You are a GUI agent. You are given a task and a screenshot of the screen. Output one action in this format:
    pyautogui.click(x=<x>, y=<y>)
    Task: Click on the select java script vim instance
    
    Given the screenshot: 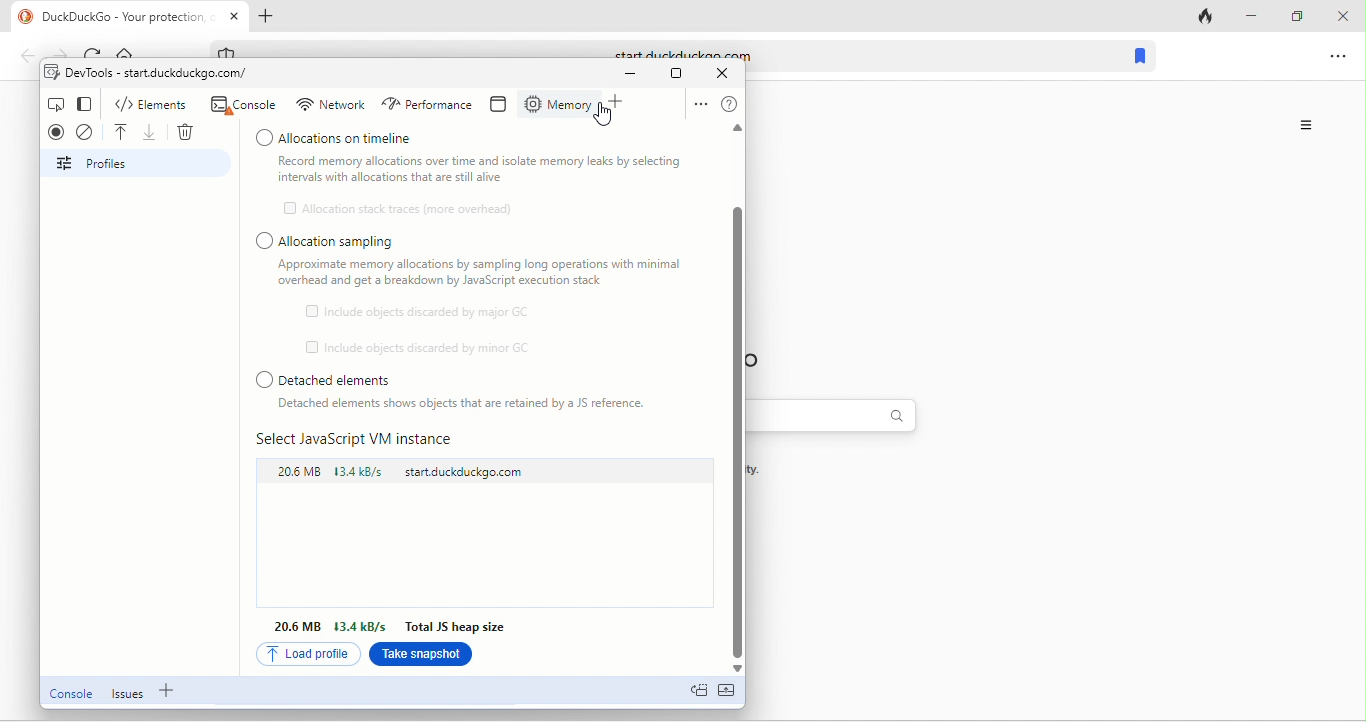 What is the action you would take?
    pyautogui.click(x=367, y=439)
    